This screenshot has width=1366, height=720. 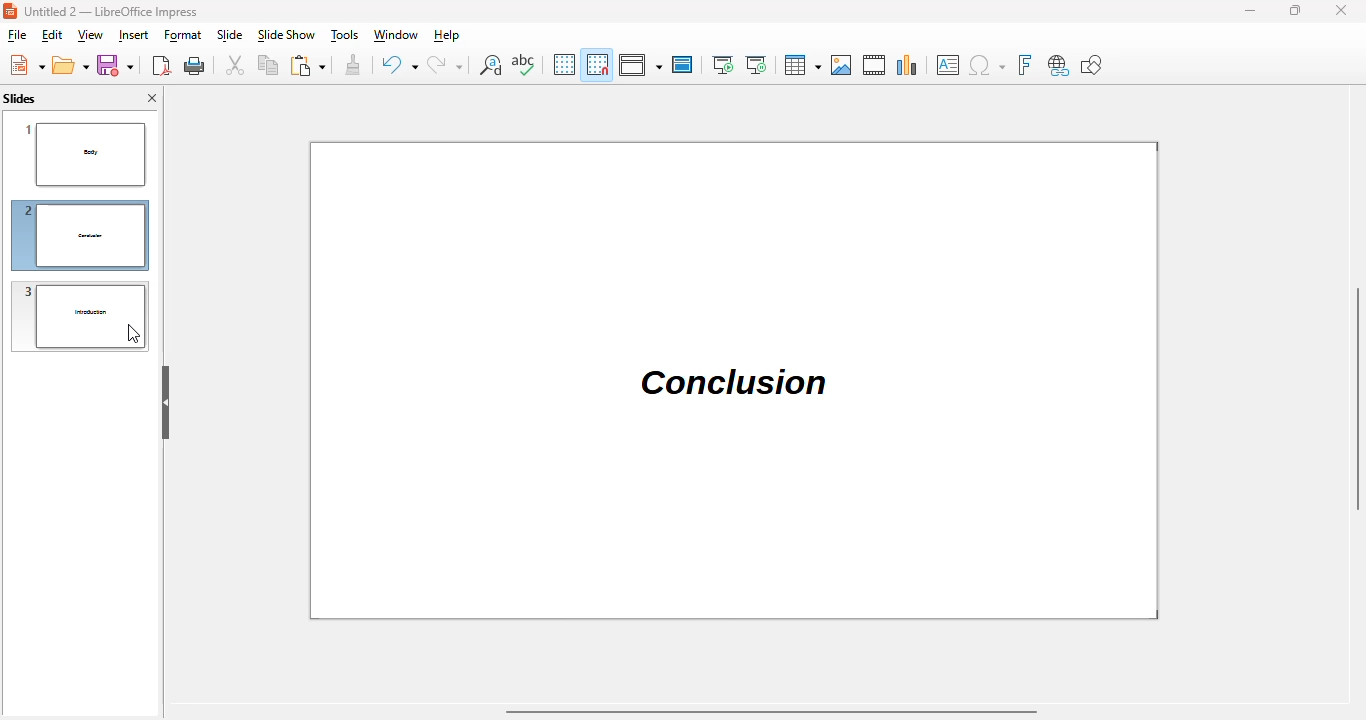 I want to click on print, so click(x=195, y=66).